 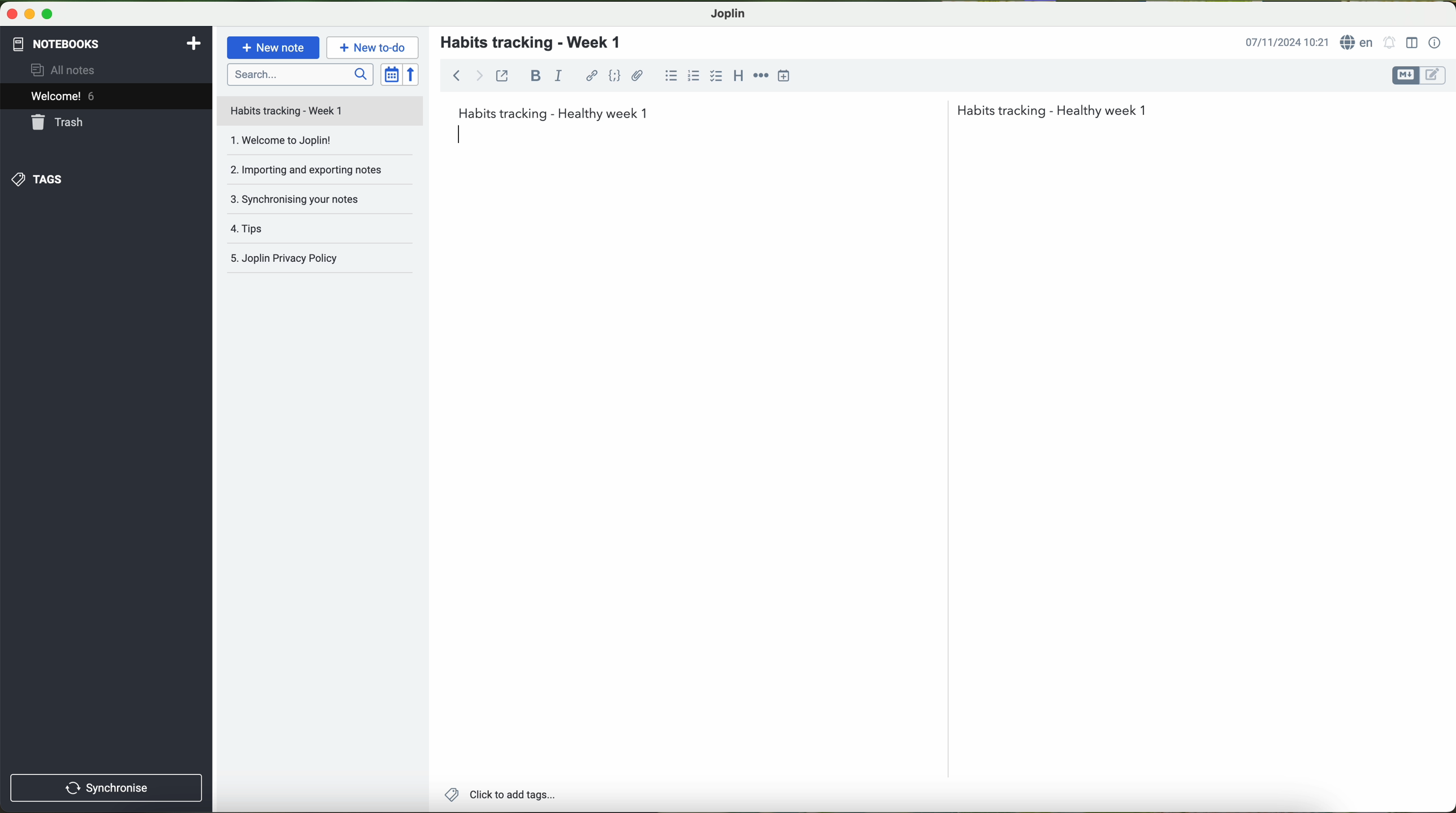 I want to click on back, so click(x=453, y=74).